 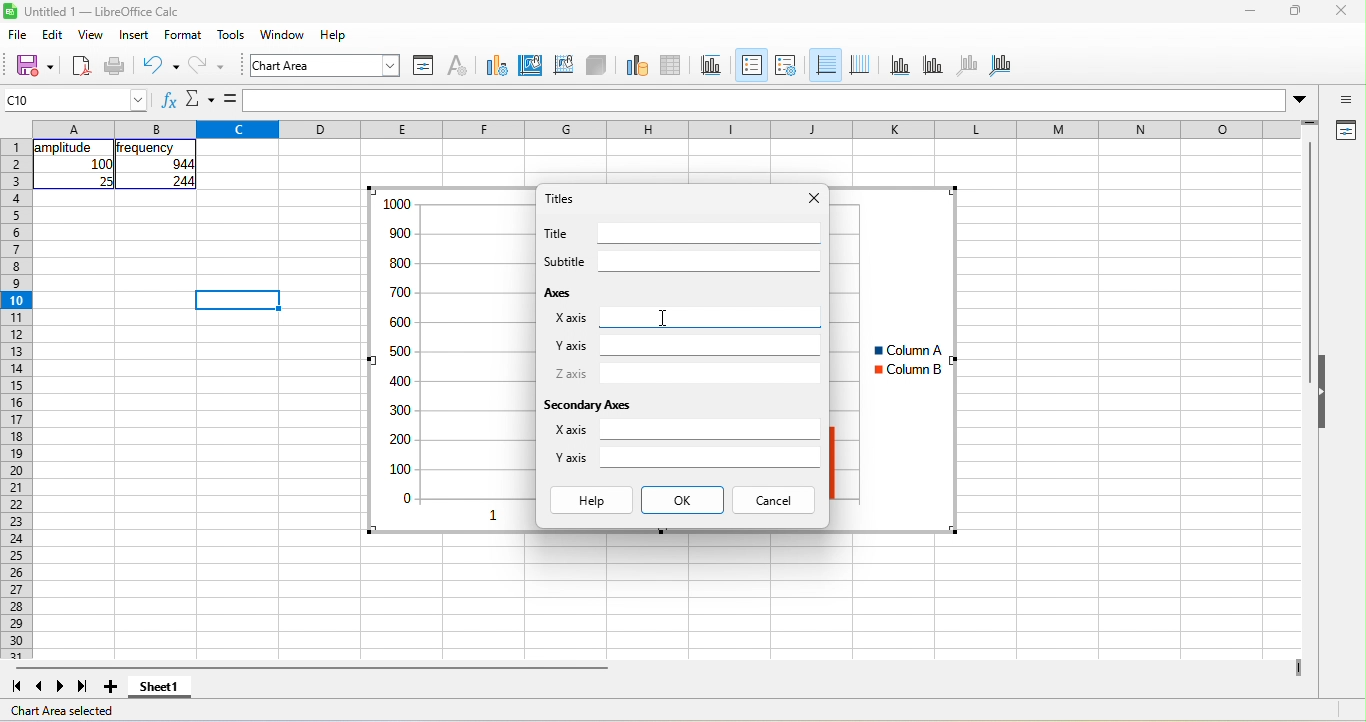 I want to click on Untitled 1 — LibreOffice Calc, so click(x=103, y=12).